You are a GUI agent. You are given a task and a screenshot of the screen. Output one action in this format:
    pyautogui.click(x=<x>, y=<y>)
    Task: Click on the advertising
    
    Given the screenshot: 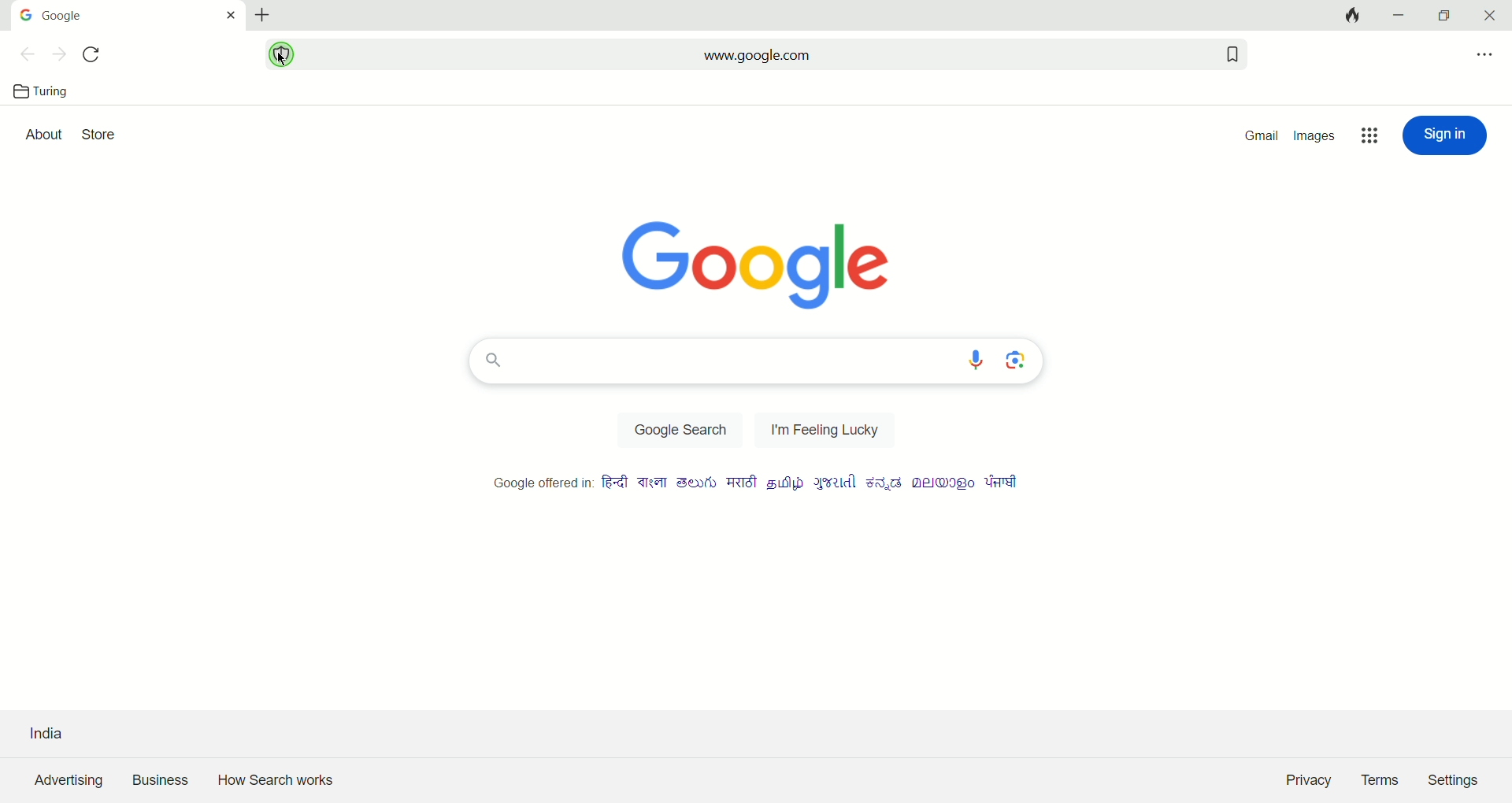 What is the action you would take?
    pyautogui.click(x=65, y=781)
    